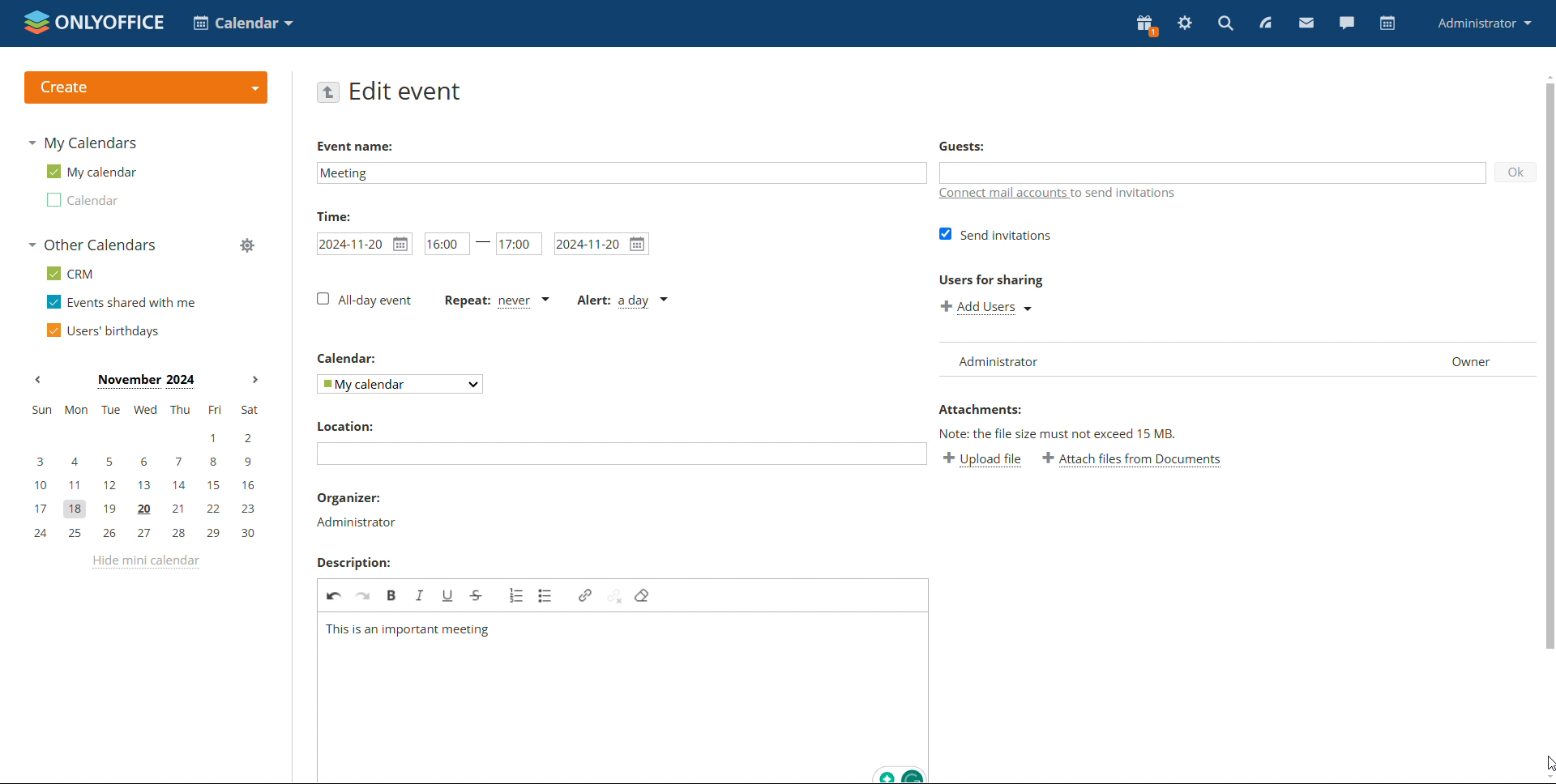  I want to click on connect mail accounts, so click(1058, 197).